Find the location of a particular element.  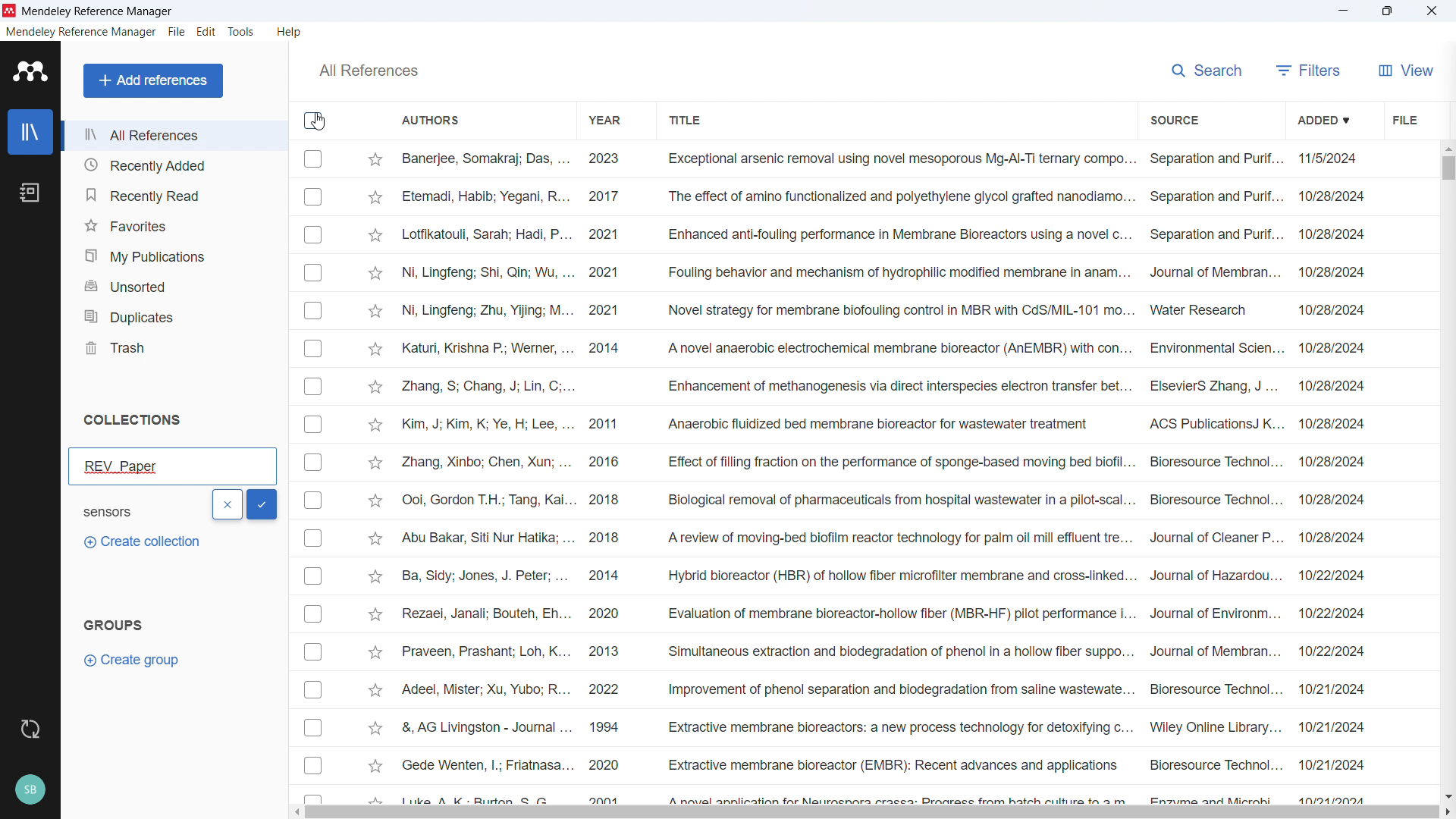

Banerjee, Somakraj; Das, ... 2023 Exceptional arsenic removal using novel mesoporous Mg-Al-Ti ternary compo... Separation and Purif... 11/5/2024 is located at coordinates (884, 159).